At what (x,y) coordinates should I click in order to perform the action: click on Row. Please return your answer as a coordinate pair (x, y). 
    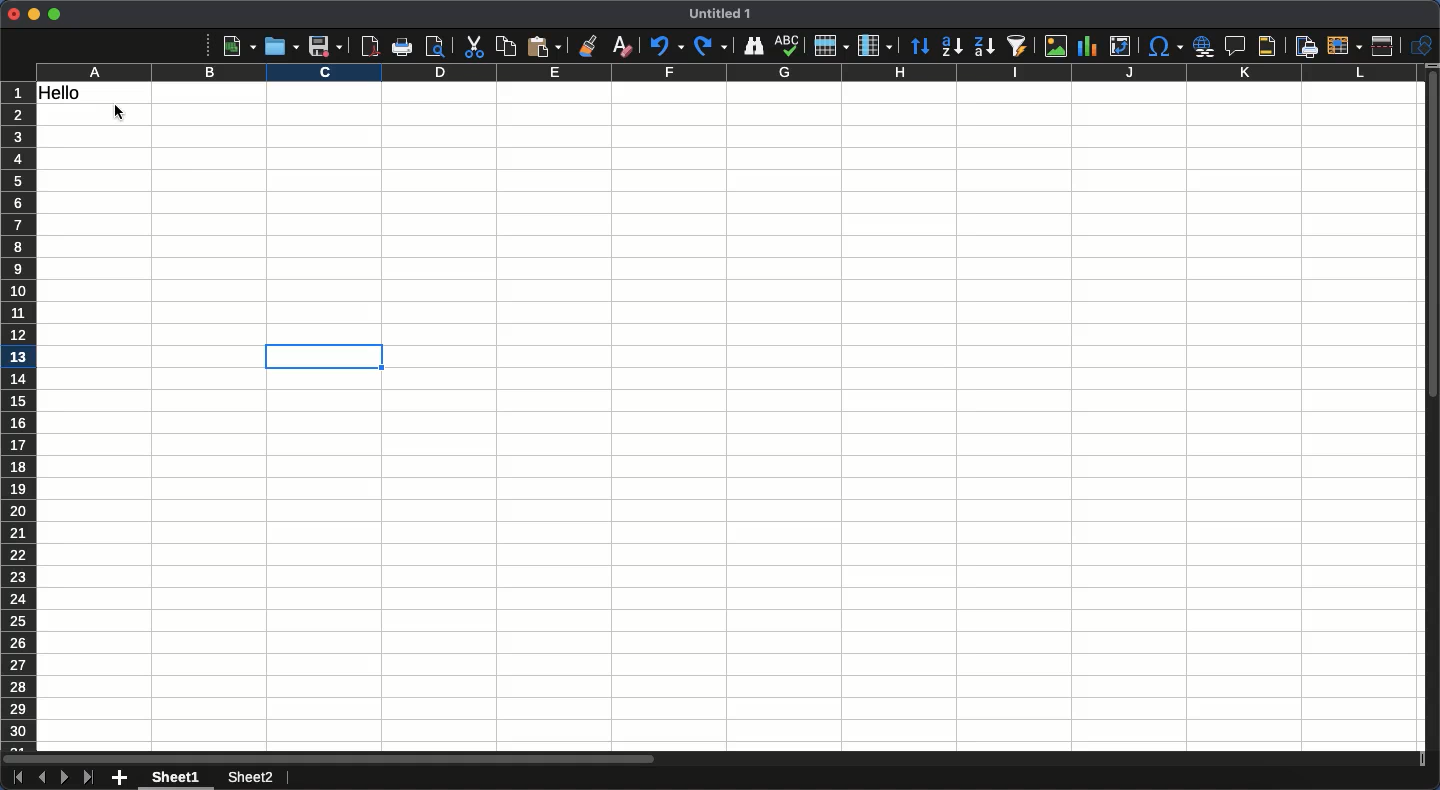
    Looking at the image, I should click on (832, 45).